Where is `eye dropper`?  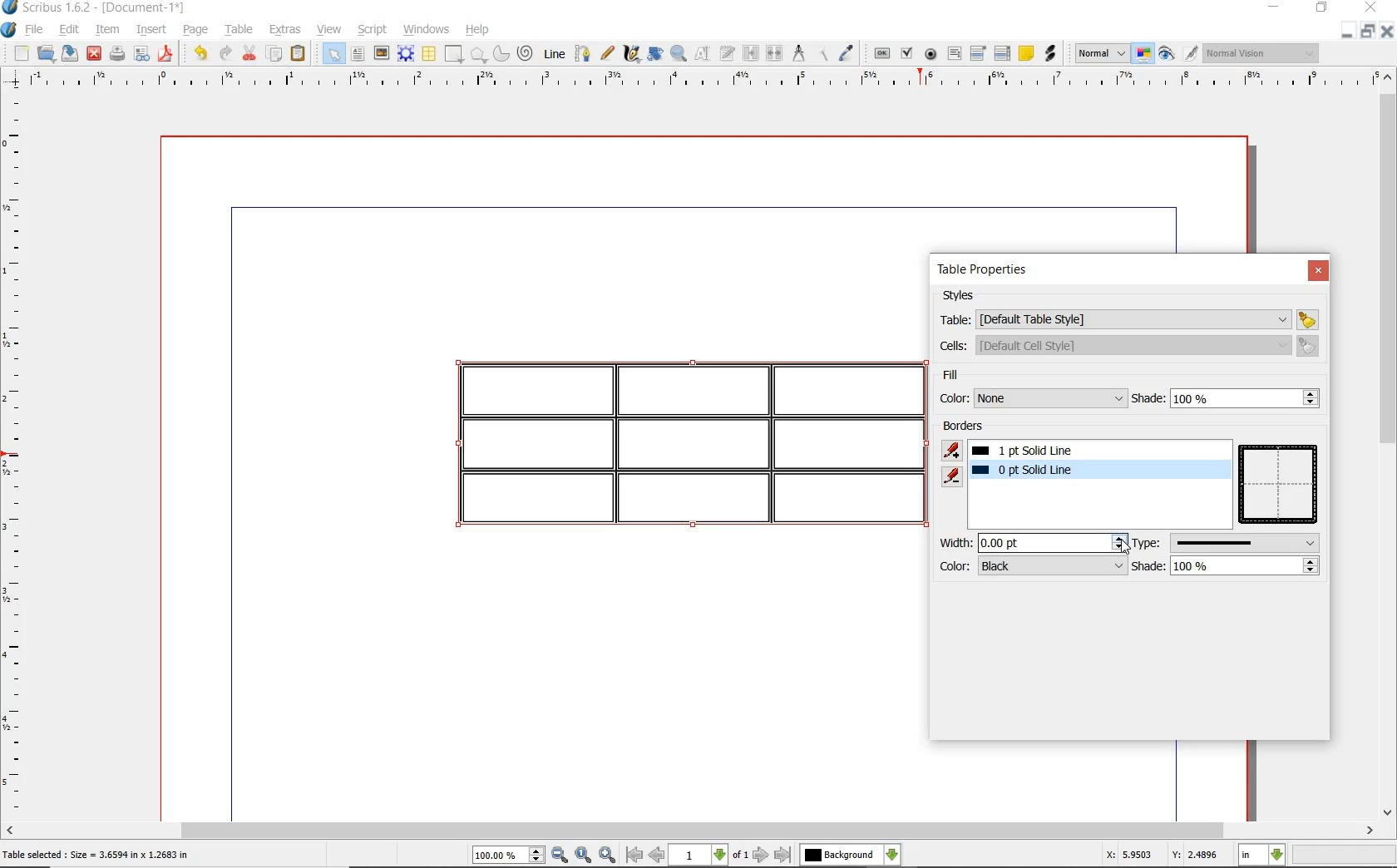 eye dropper is located at coordinates (847, 55).